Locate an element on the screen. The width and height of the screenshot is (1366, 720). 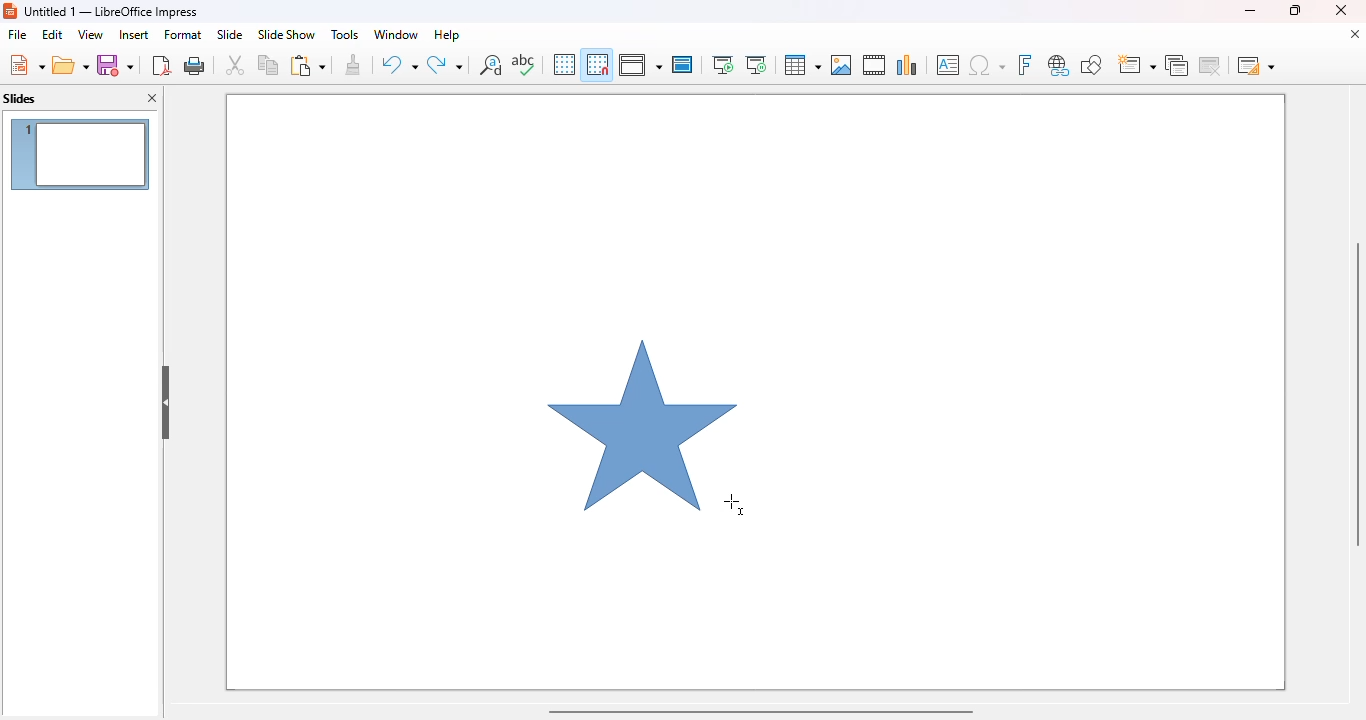
insert chart is located at coordinates (907, 64).